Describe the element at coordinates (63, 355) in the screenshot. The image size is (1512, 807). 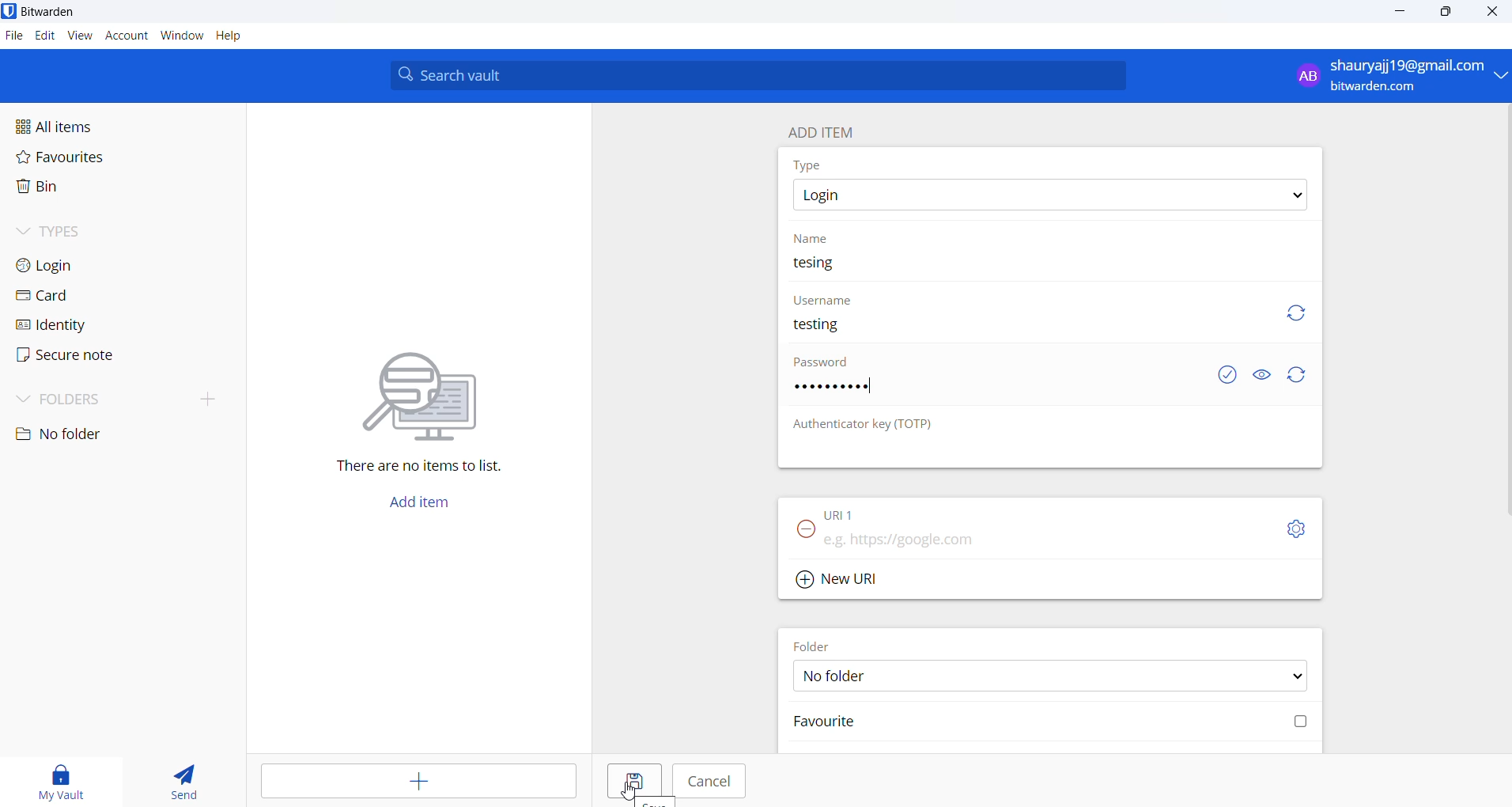
I see `secure note` at that location.